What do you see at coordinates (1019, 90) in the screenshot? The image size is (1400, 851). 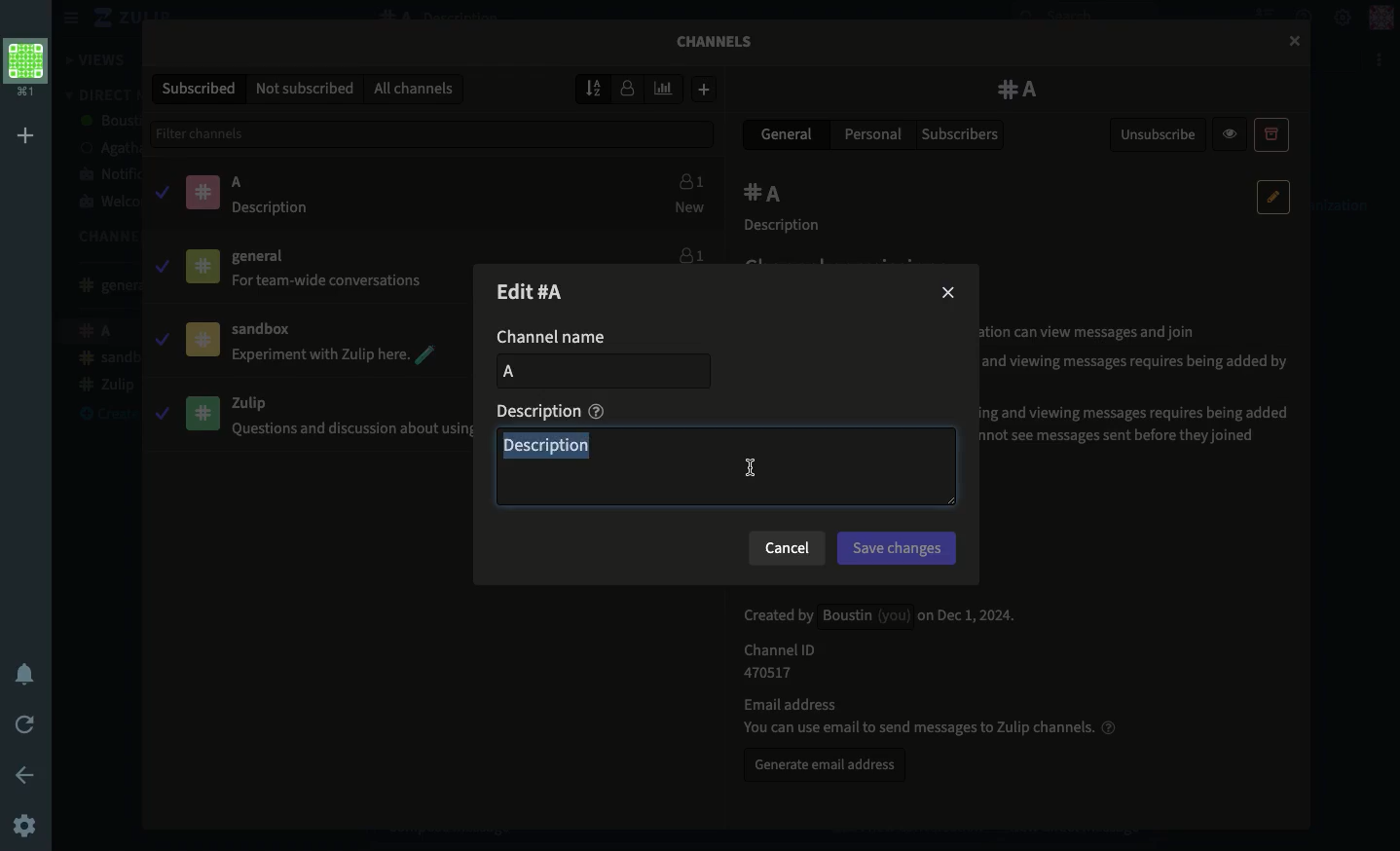 I see `A` at bounding box center [1019, 90].